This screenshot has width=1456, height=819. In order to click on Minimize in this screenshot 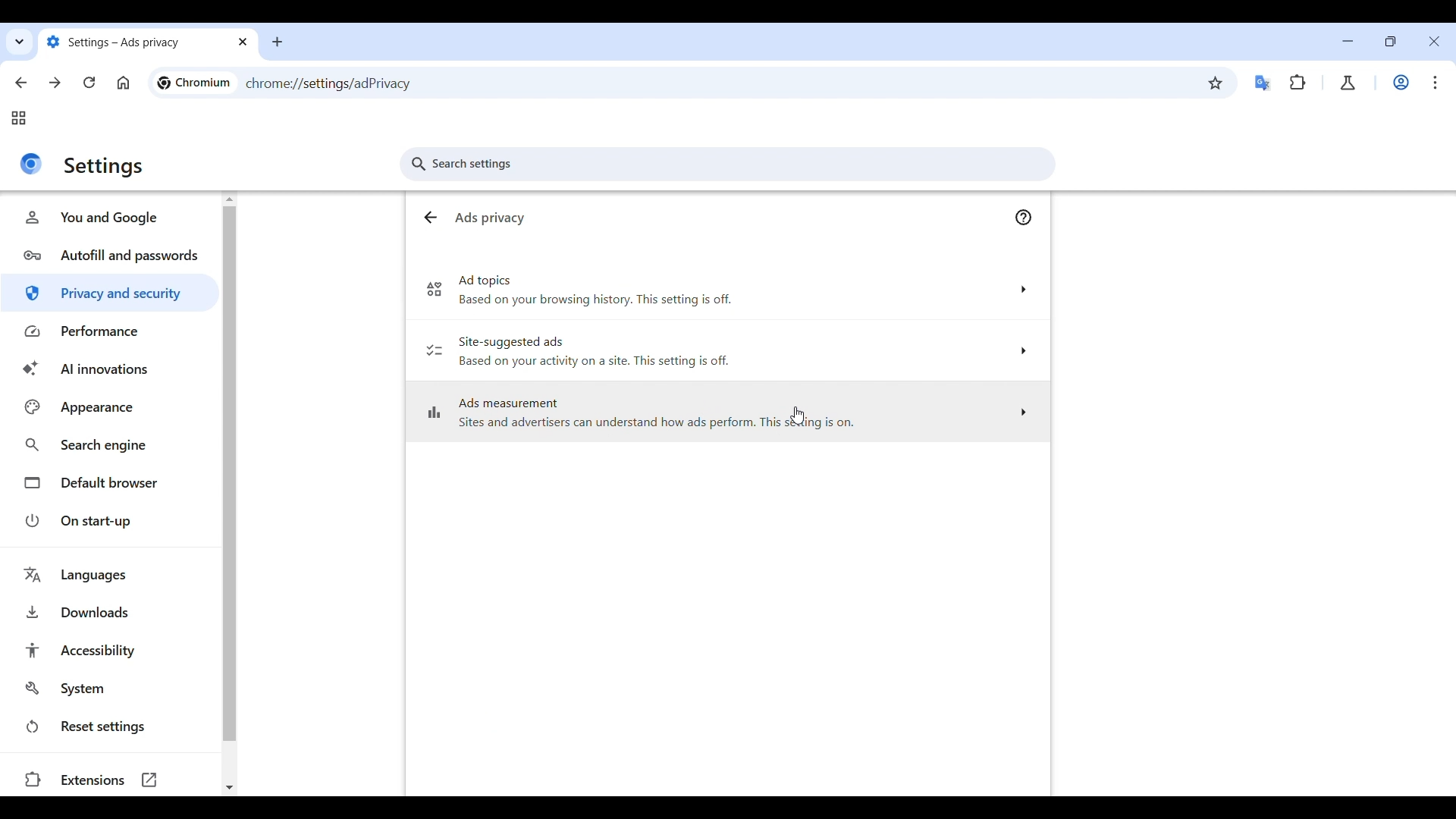, I will do `click(1348, 41)`.